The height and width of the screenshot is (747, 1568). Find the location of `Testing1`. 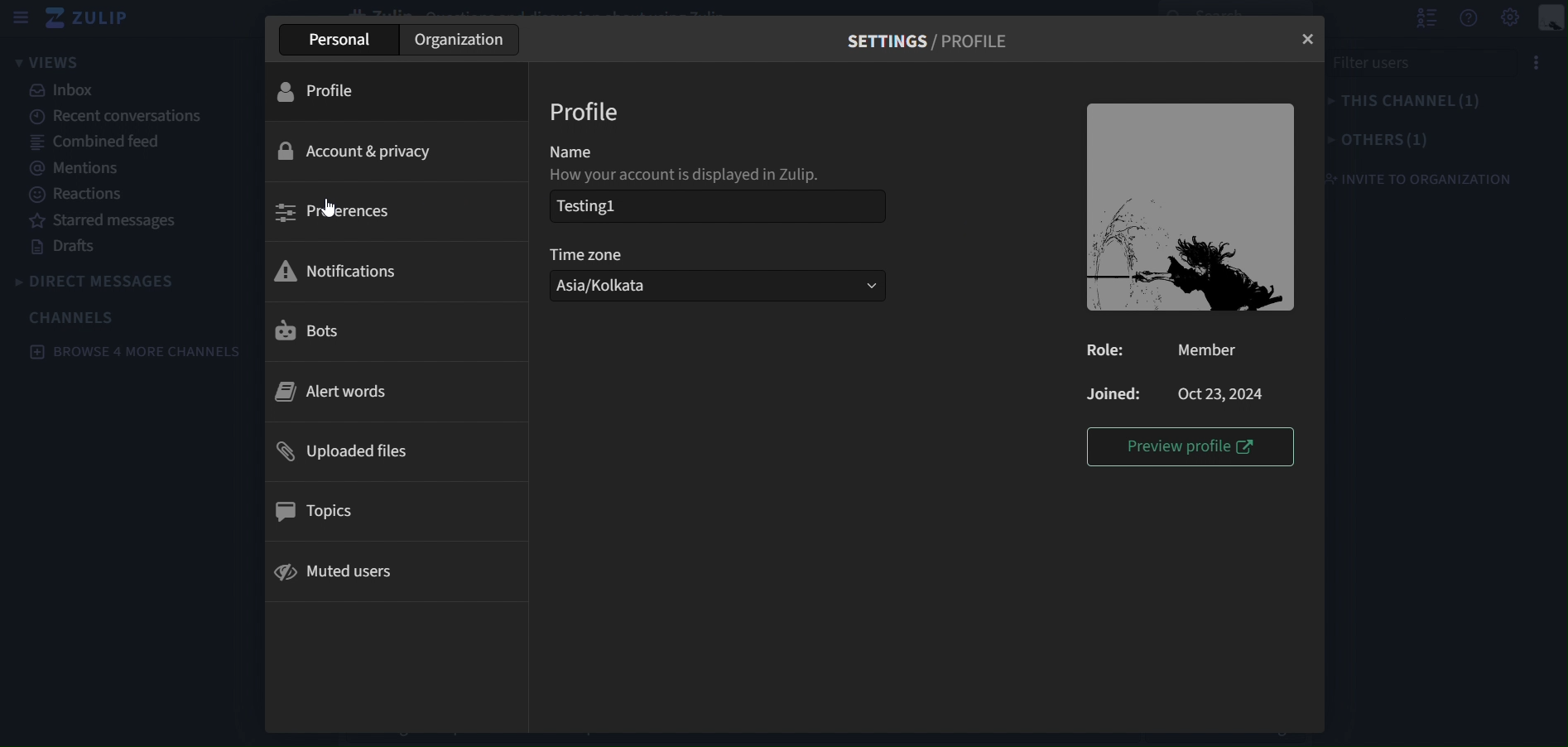

Testing1 is located at coordinates (718, 205).